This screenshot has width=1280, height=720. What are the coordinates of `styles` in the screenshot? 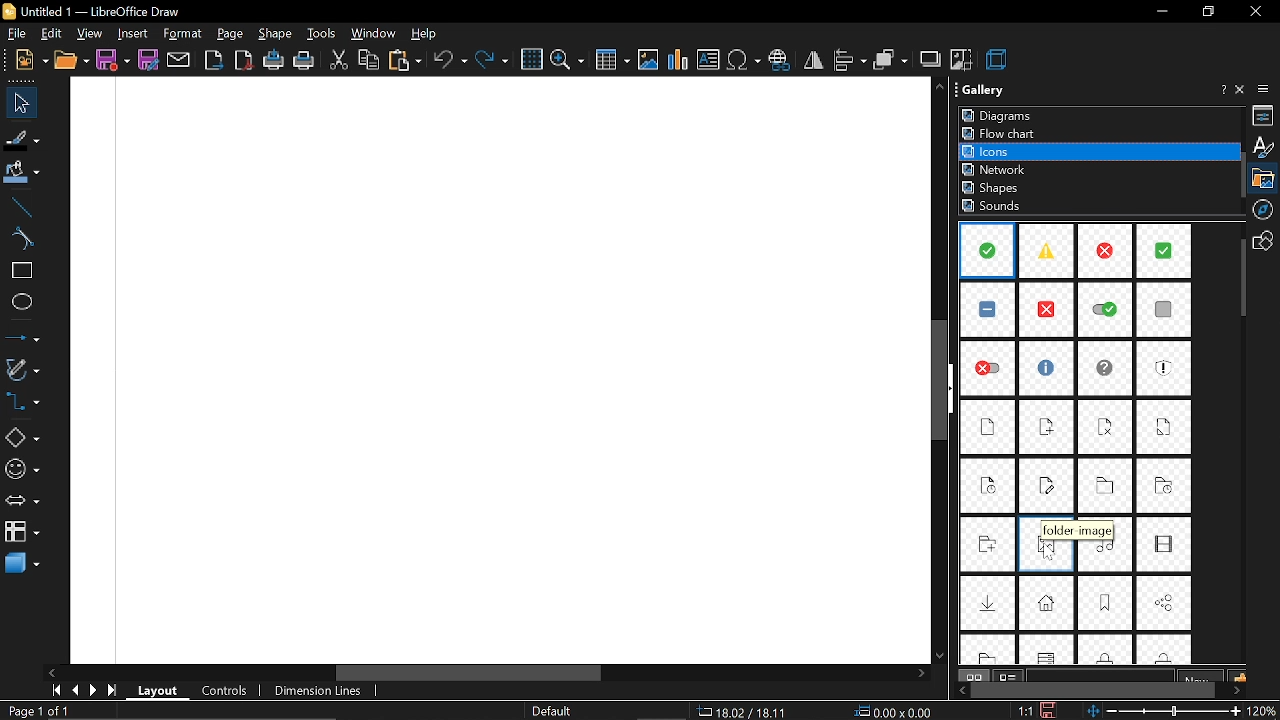 It's located at (1263, 147).